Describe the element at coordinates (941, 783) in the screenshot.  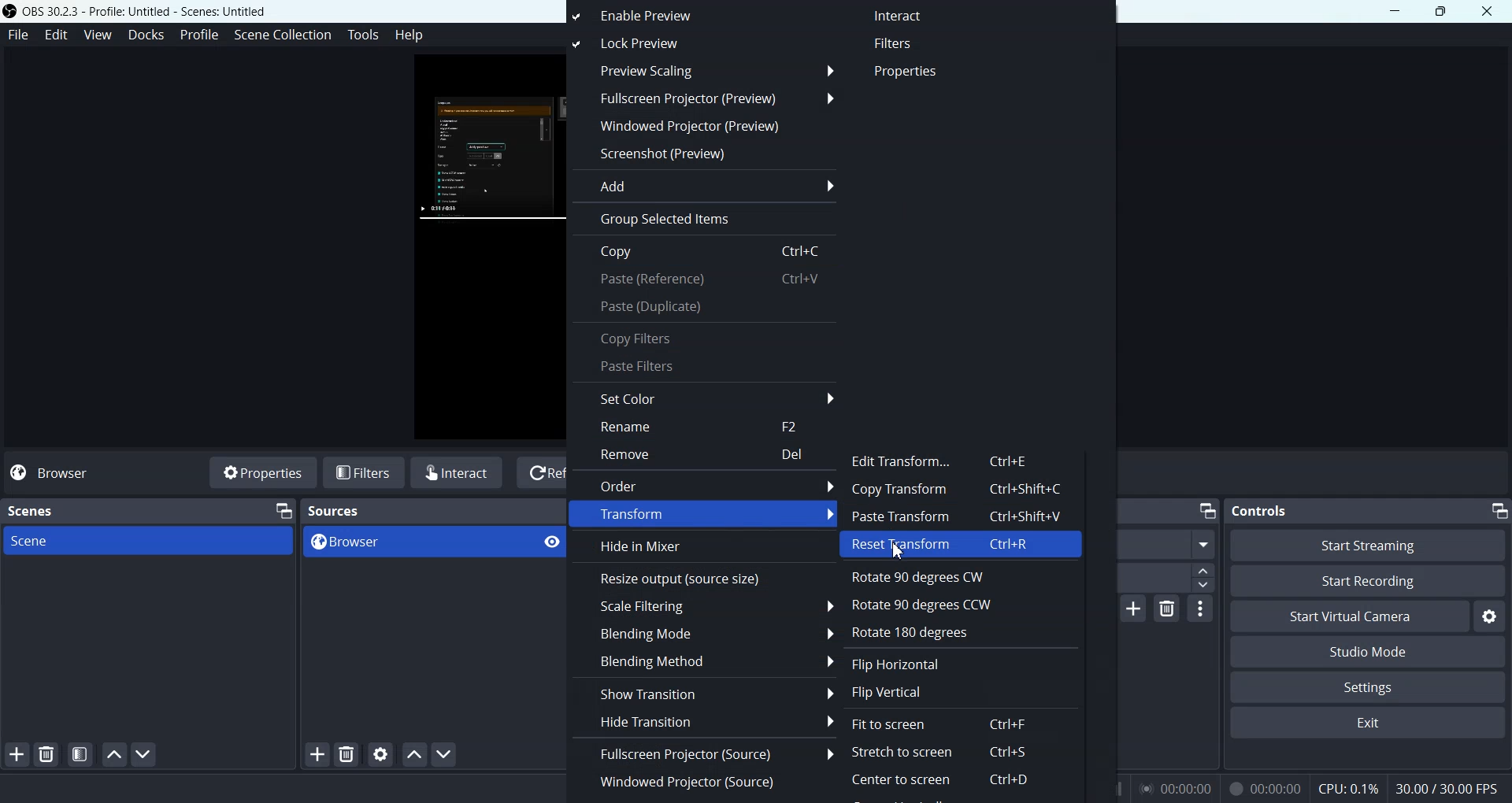
I see `Center to screen` at that location.